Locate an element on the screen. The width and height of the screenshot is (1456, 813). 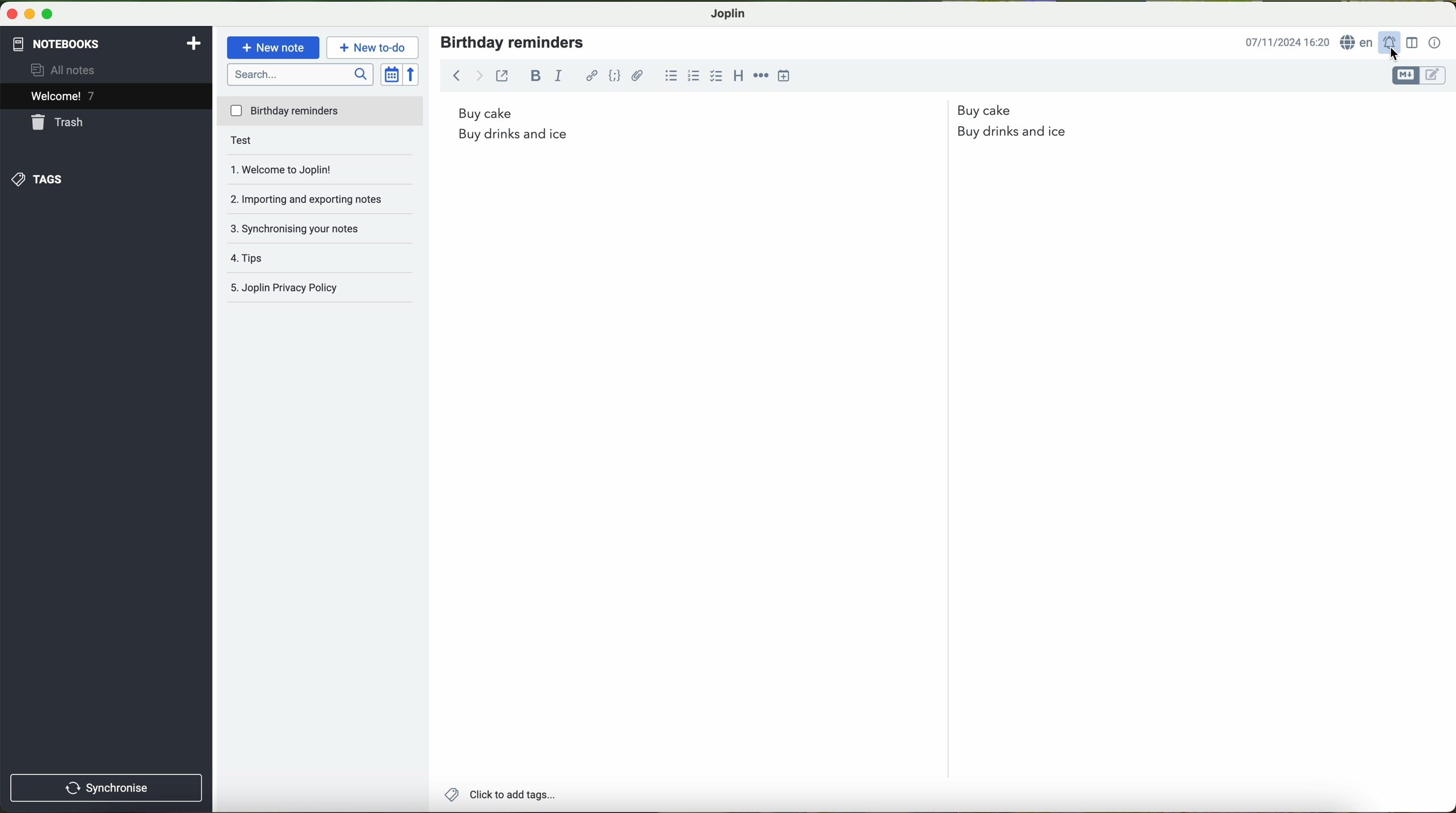
date and hour is located at coordinates (1288, 42).